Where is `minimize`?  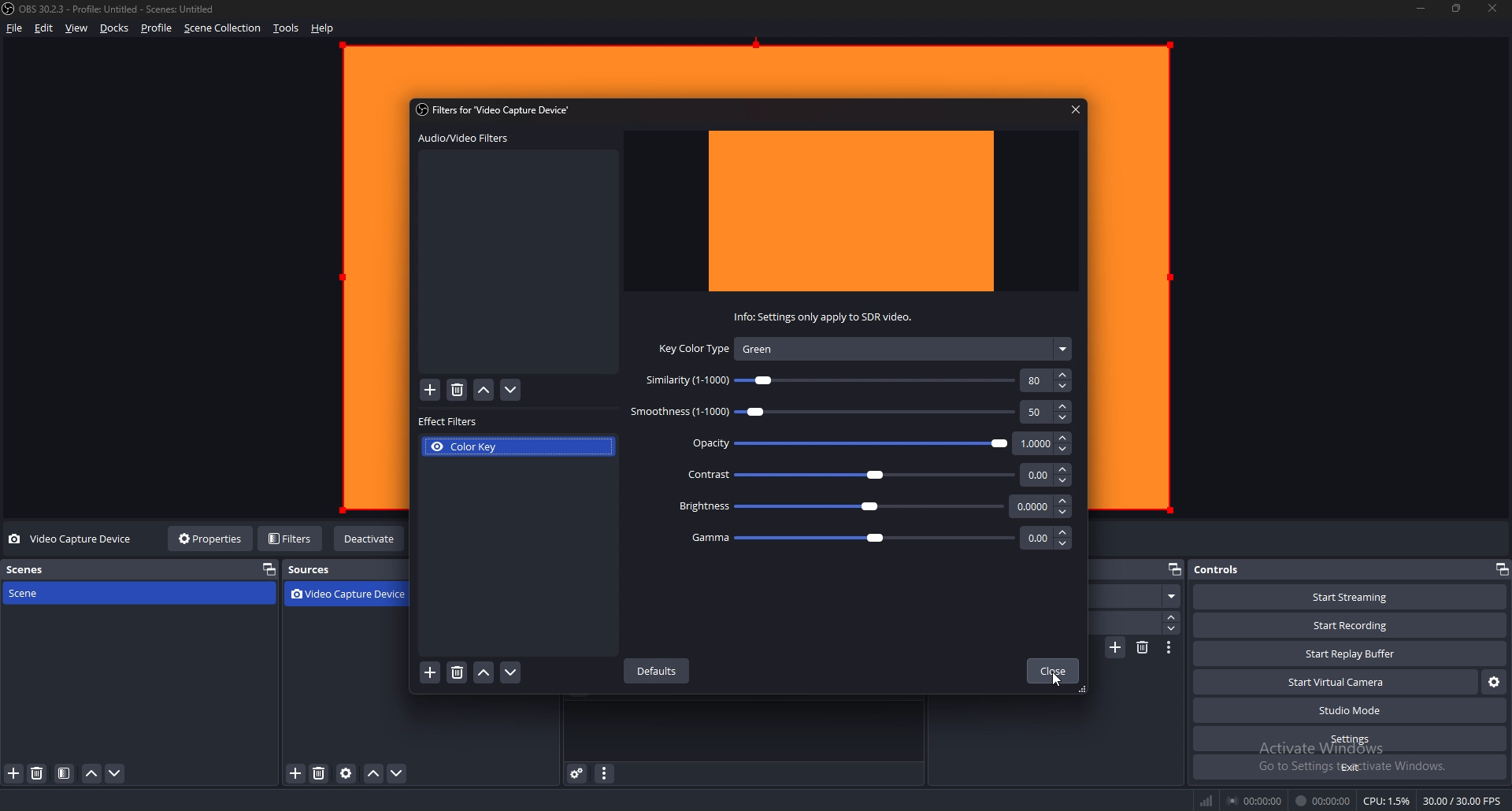
minimize is located at coordinates (1421, 9).